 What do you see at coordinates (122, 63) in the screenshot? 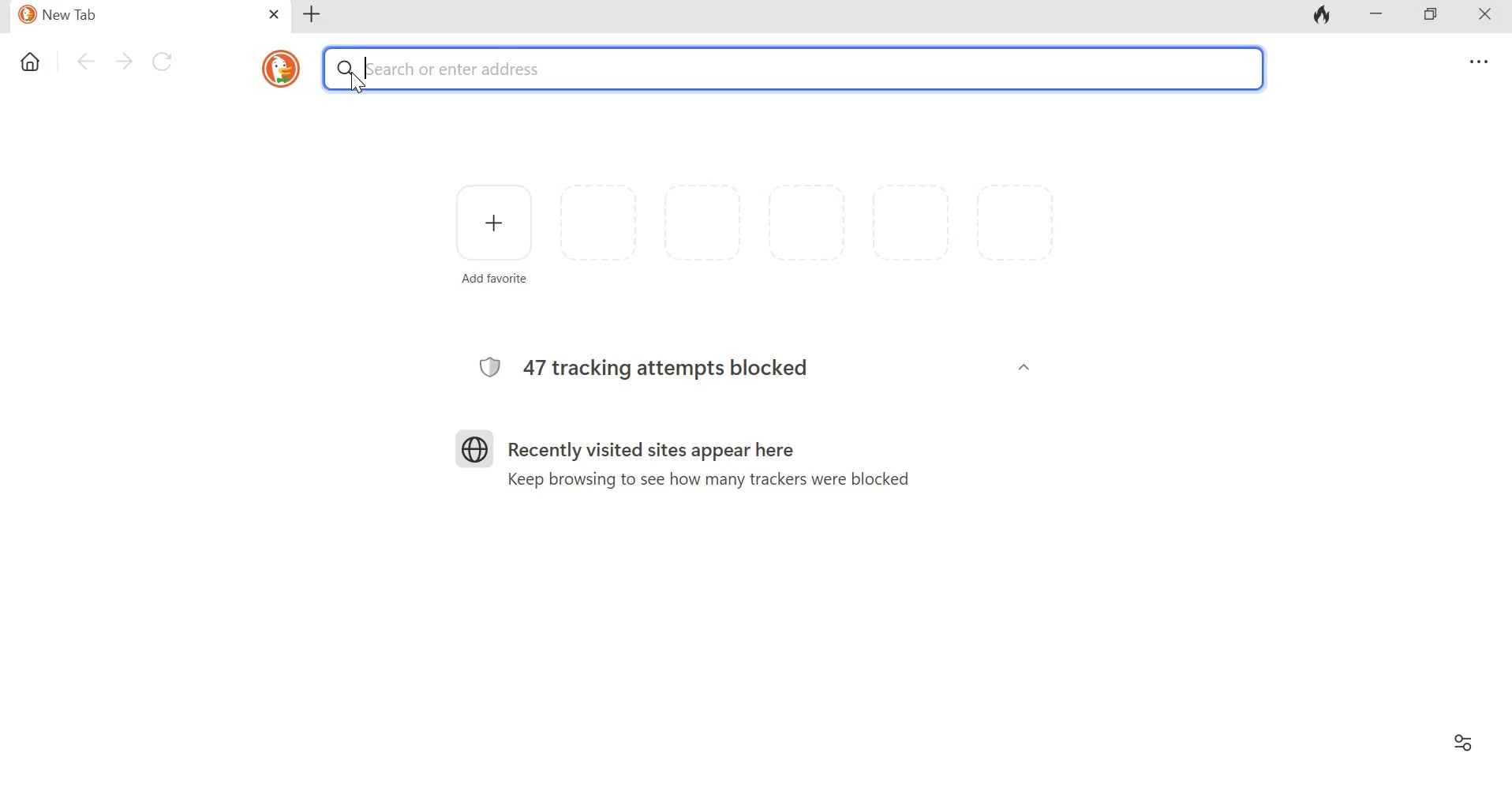
I see `Go forward one page` at bounding box center [122, 63].